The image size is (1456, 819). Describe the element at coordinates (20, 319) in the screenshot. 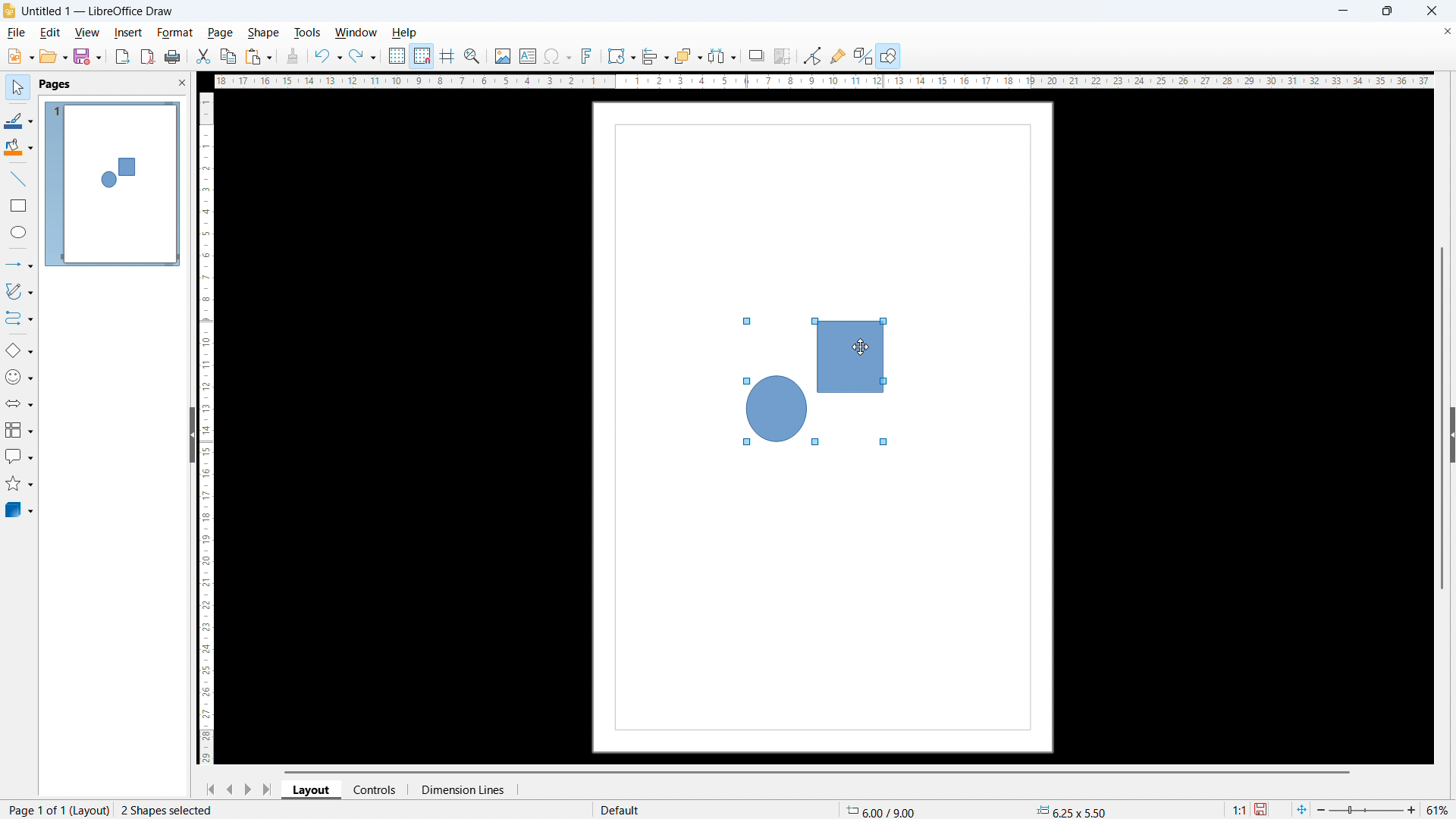

I see `connectors` at that location.